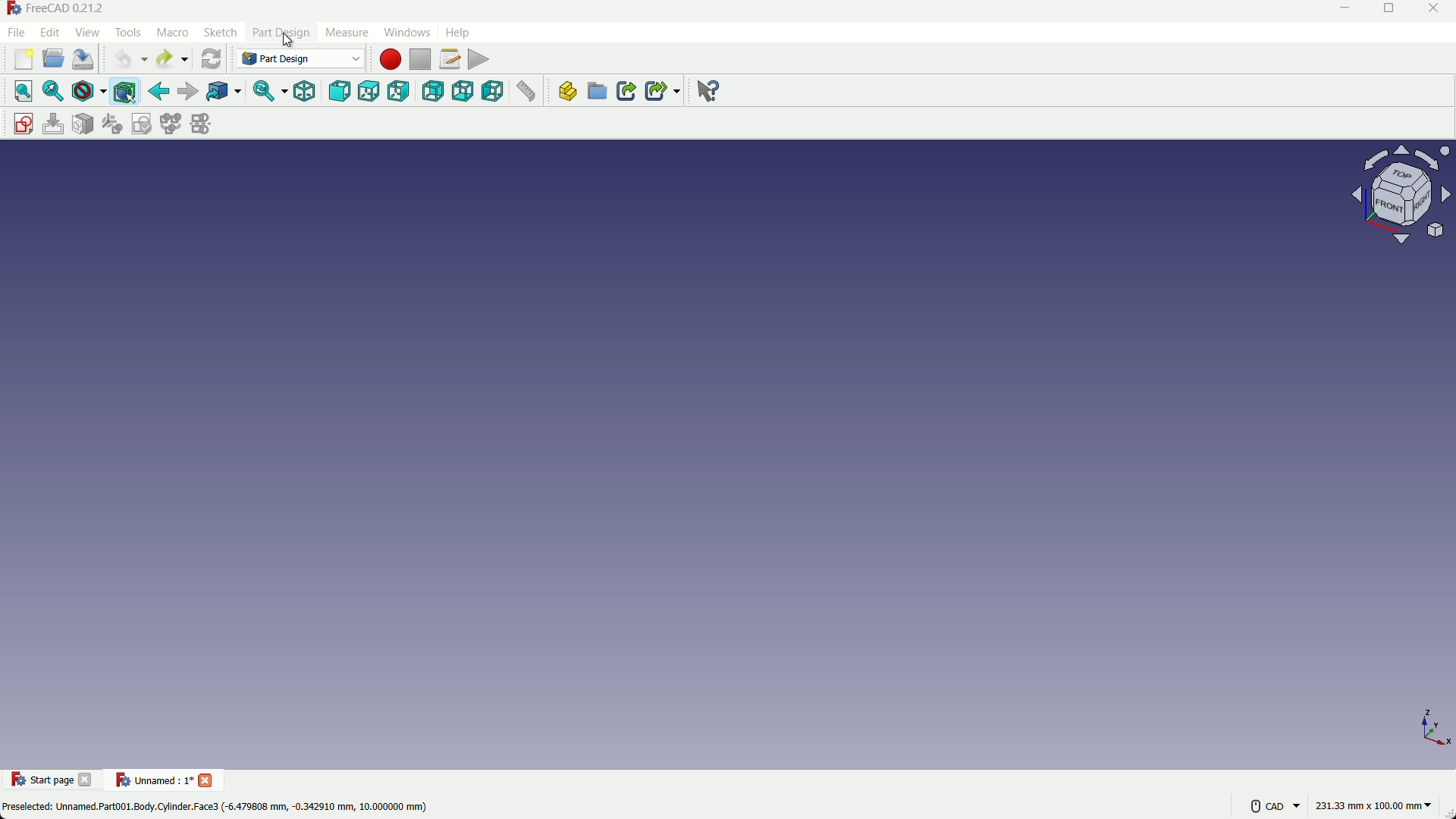  I want to click on isometric view, so click(303, 91).